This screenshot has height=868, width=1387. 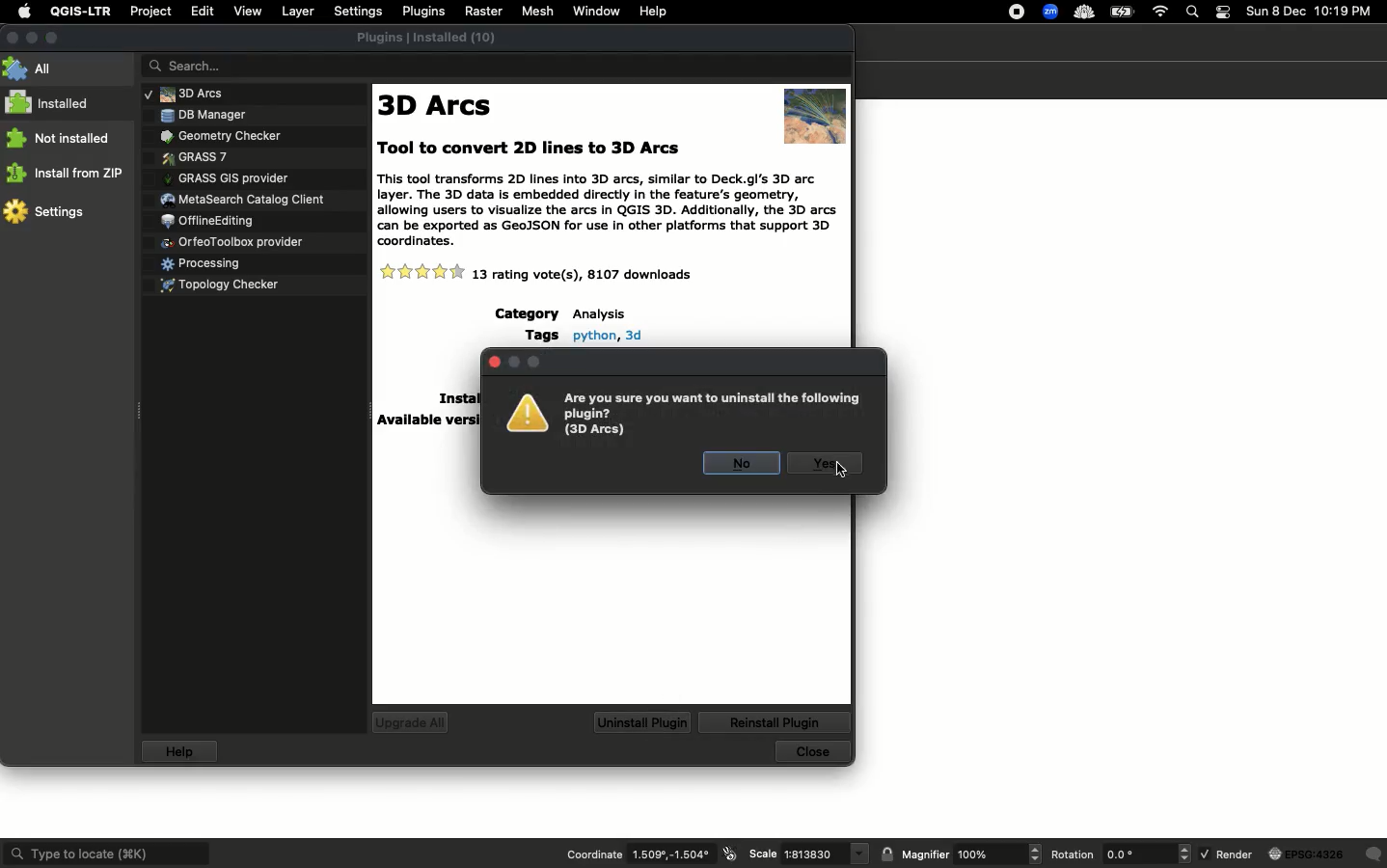 What do you see at coordinates (50, 104) in the screenshot?
I see `Installed` at bounding box center [50, 104].